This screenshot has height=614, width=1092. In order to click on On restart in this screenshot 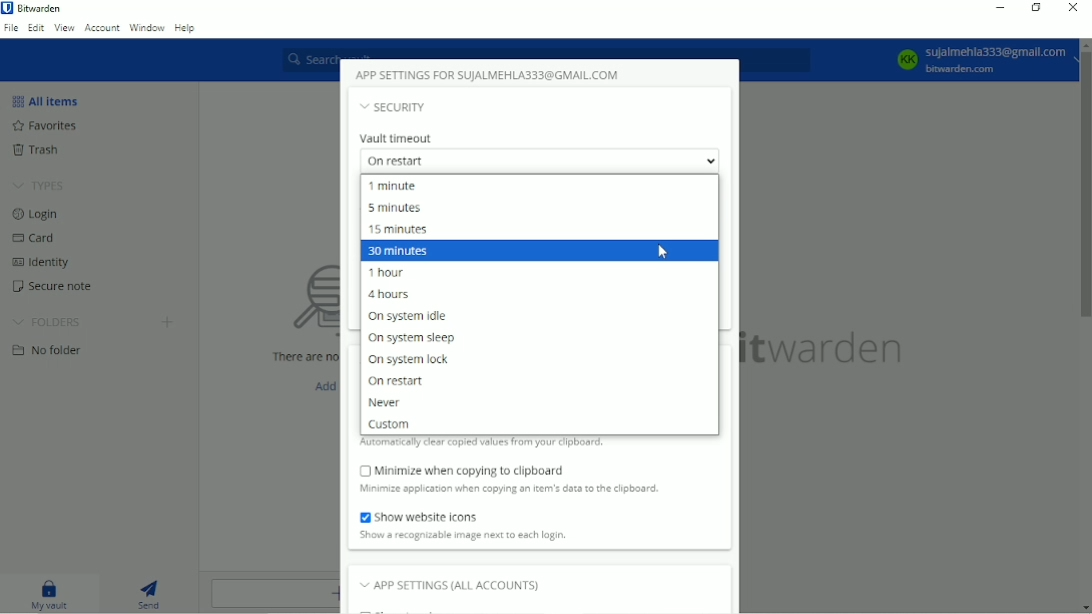, I will do `click(406, 381)`.